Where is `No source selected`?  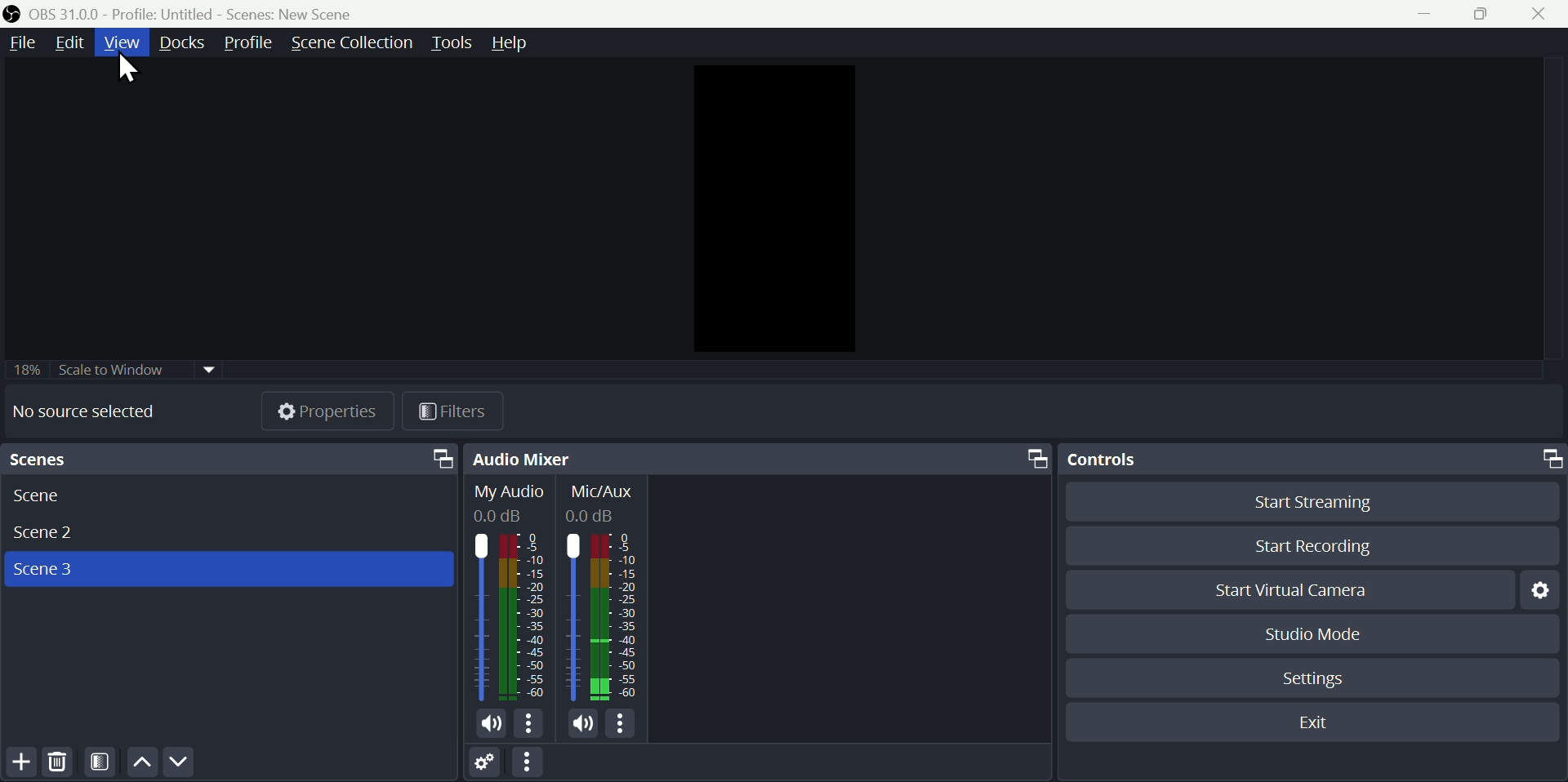 No source selected is located at coordinates (91, 411).